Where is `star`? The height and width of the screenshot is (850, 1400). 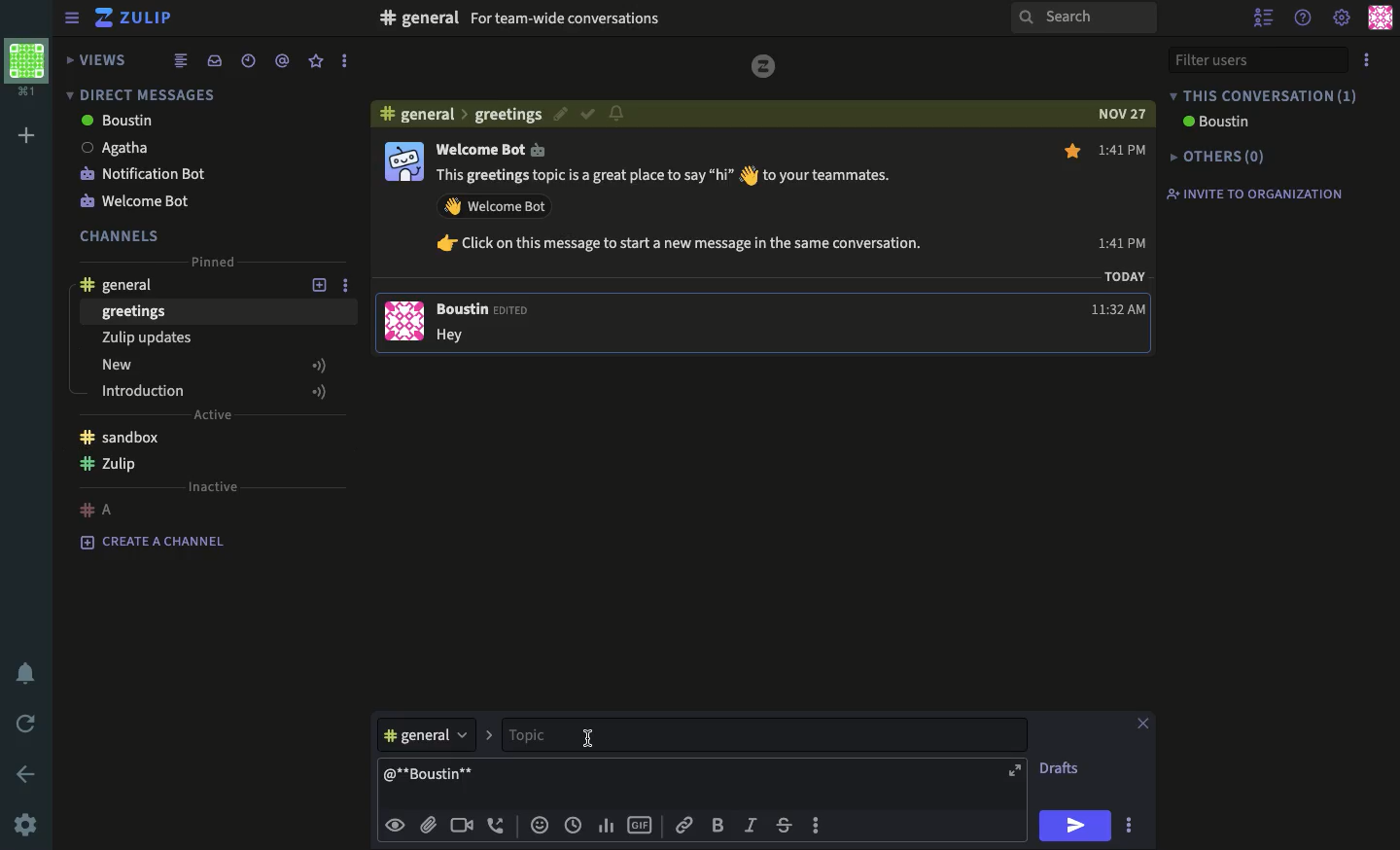
star is located at coordinates (1071, 150).